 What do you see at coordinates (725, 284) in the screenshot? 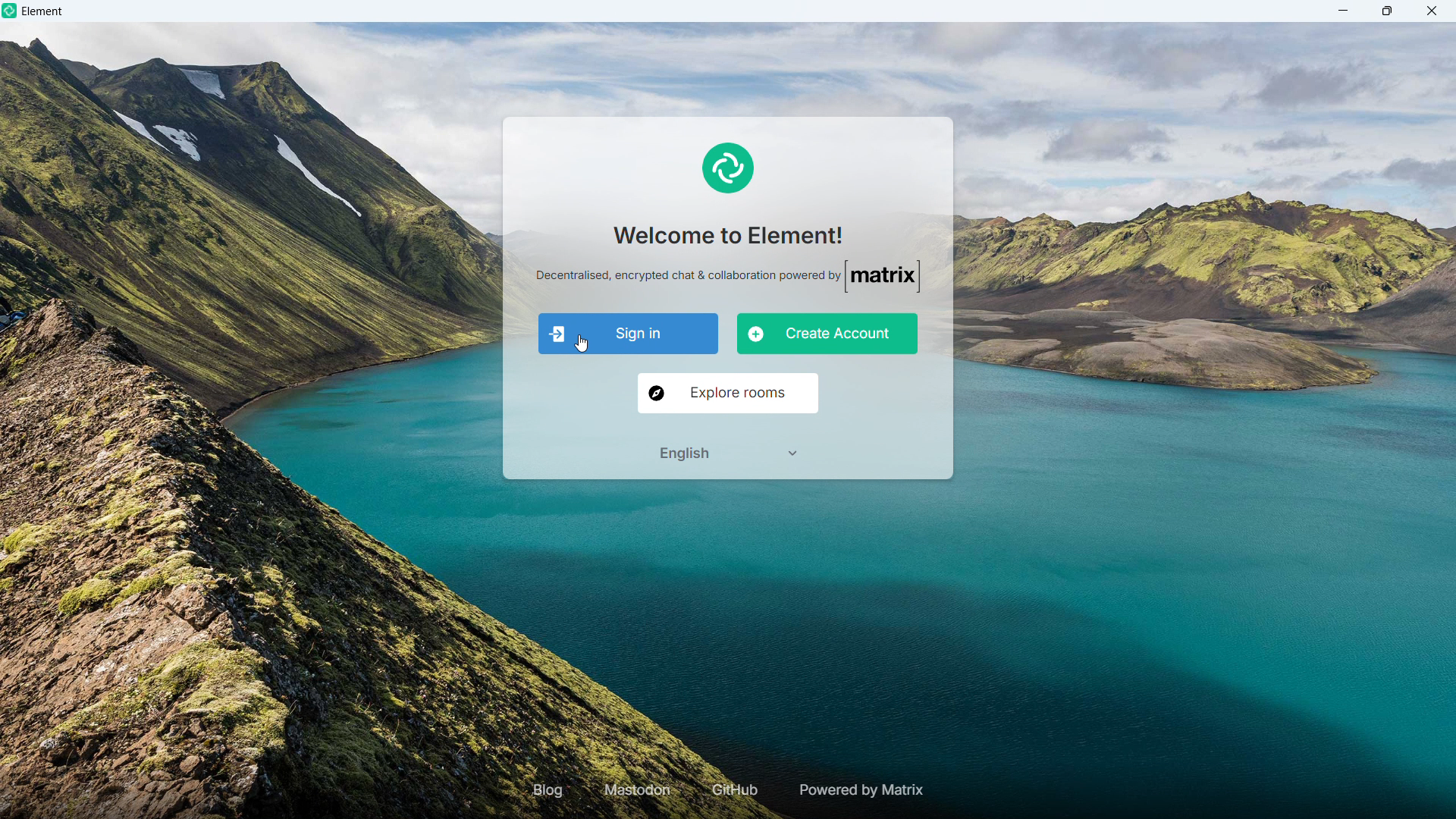
I see `decentralised, encrypted chat amd collaboration powered by matrix` at bounding box center [725, 284].